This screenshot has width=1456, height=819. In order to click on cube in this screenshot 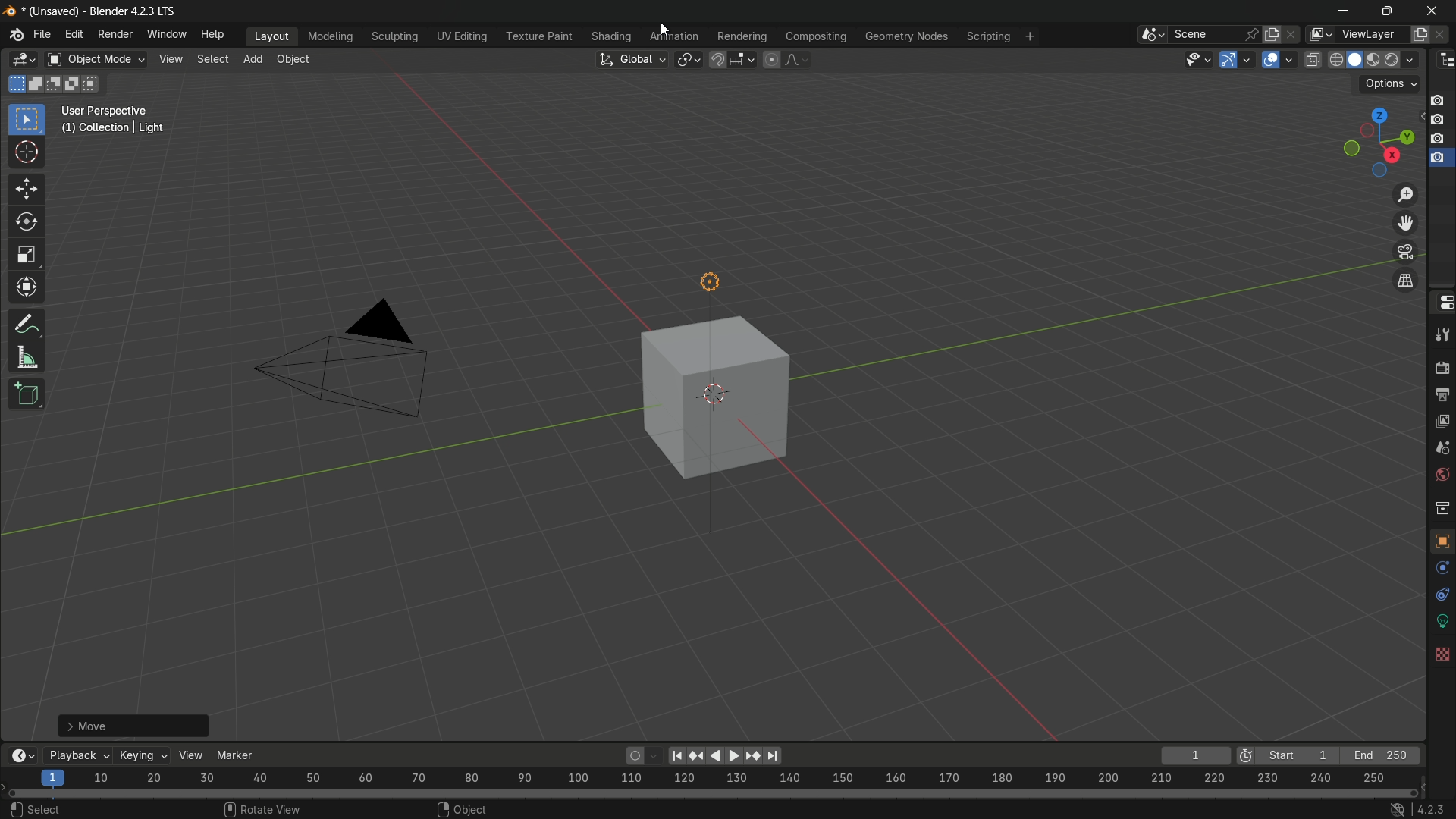, I will do `click(717, 396)`.